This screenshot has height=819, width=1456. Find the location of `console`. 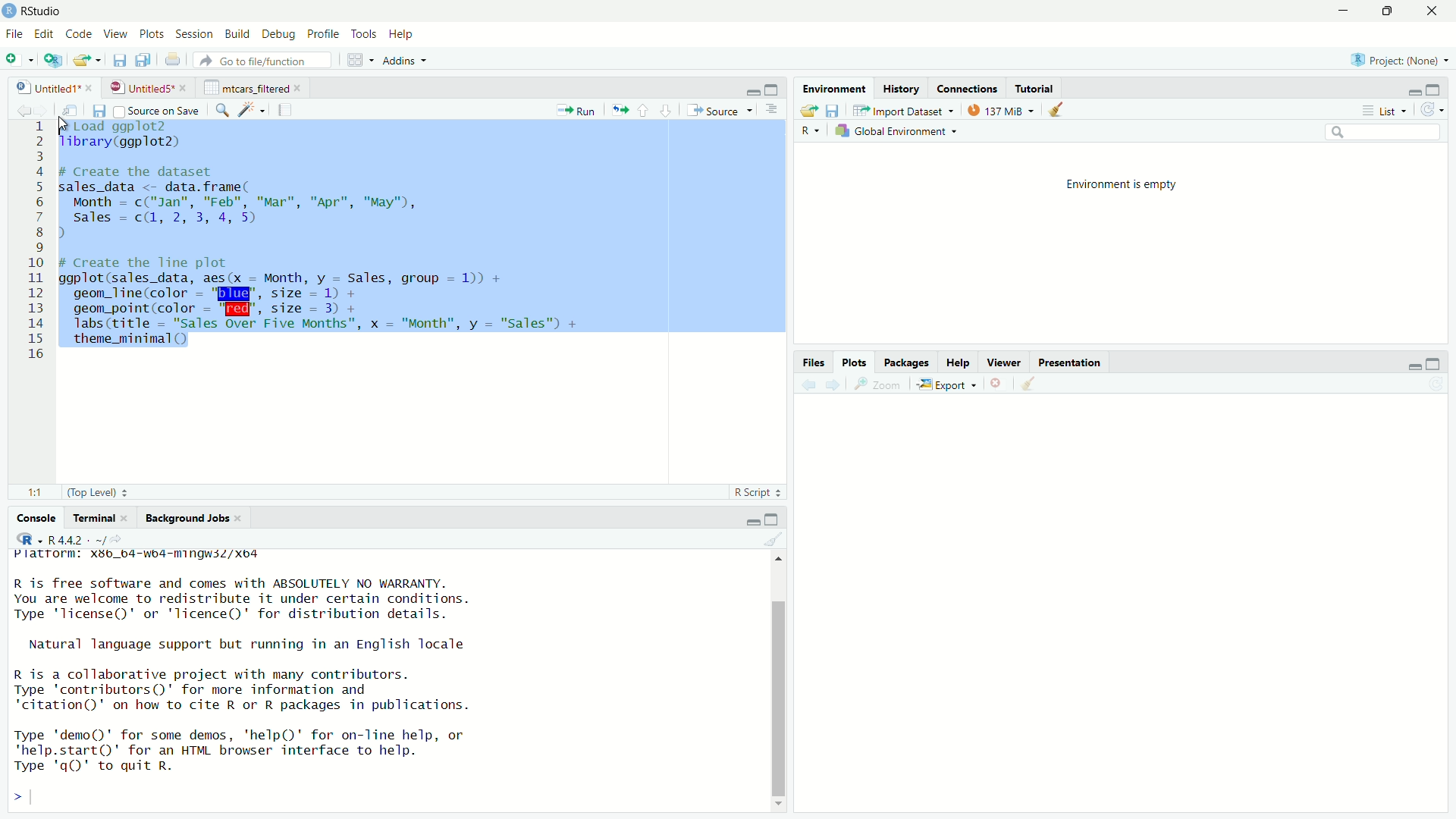

console is located at coordinates (30, 519).